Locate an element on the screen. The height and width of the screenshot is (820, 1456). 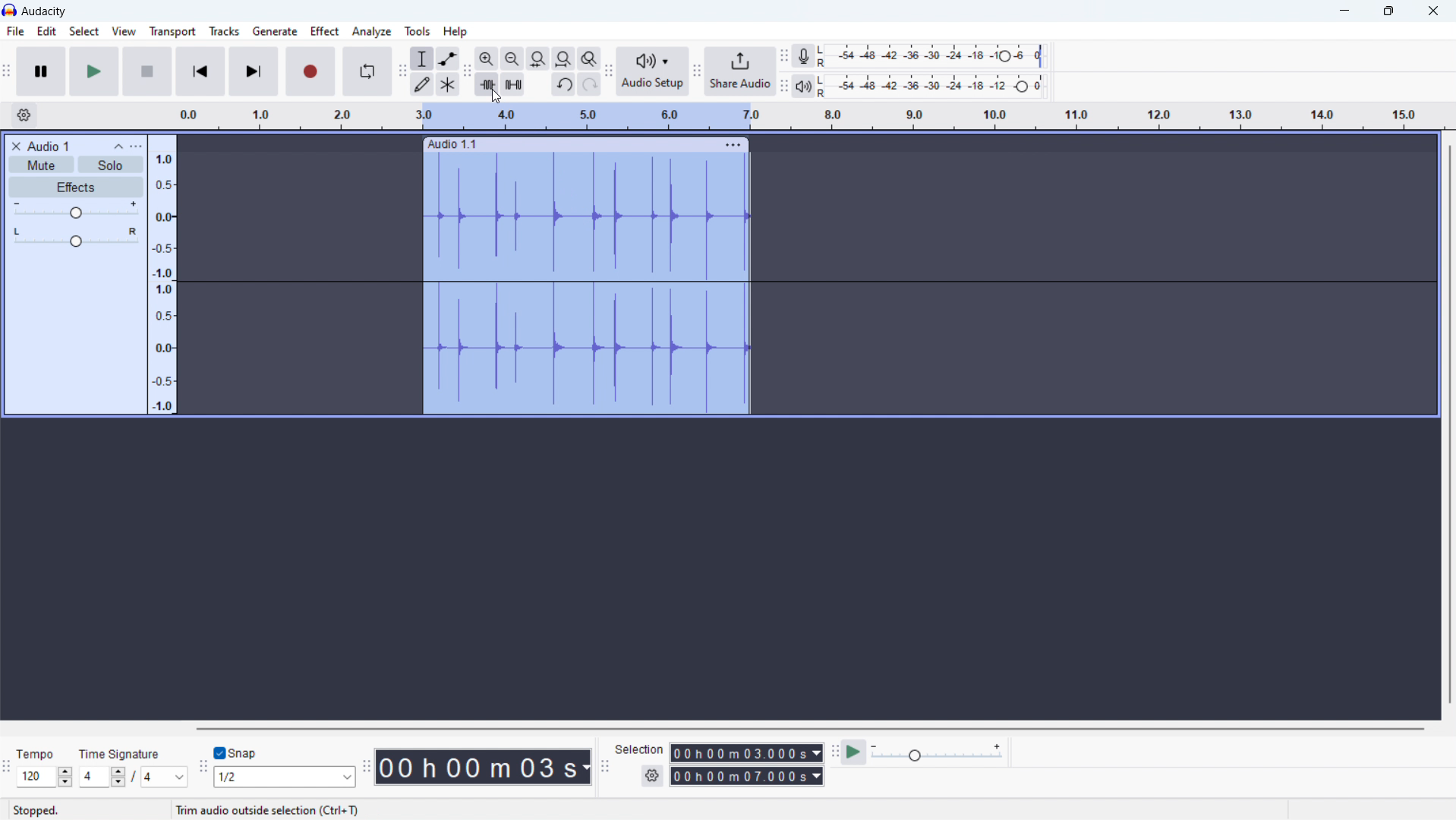
close is located at coordinates (1431, 11).